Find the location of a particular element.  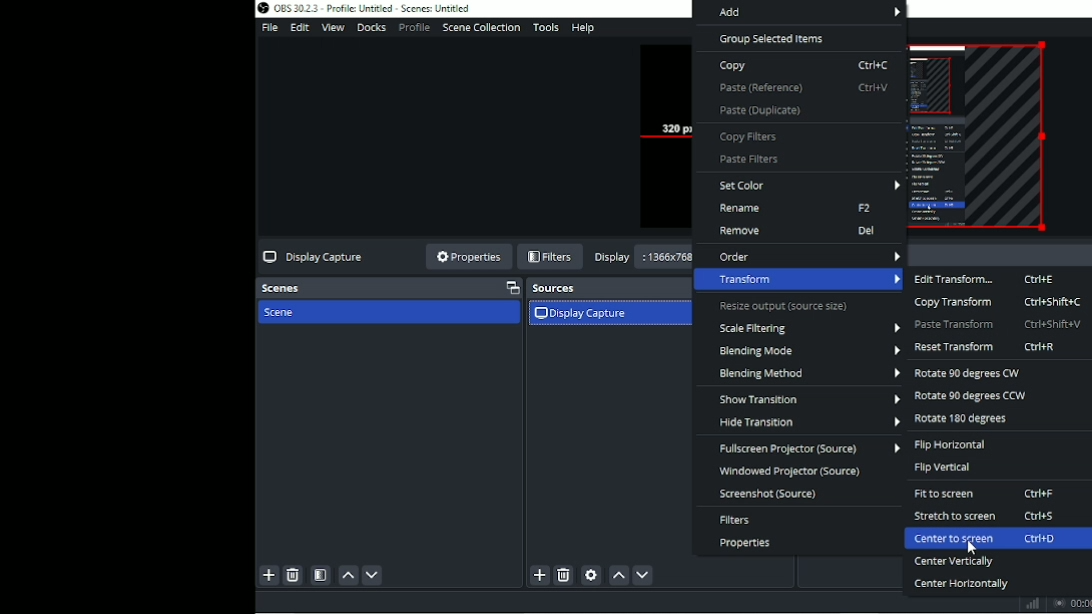

Scene collection is located at coordinates (480, 28).